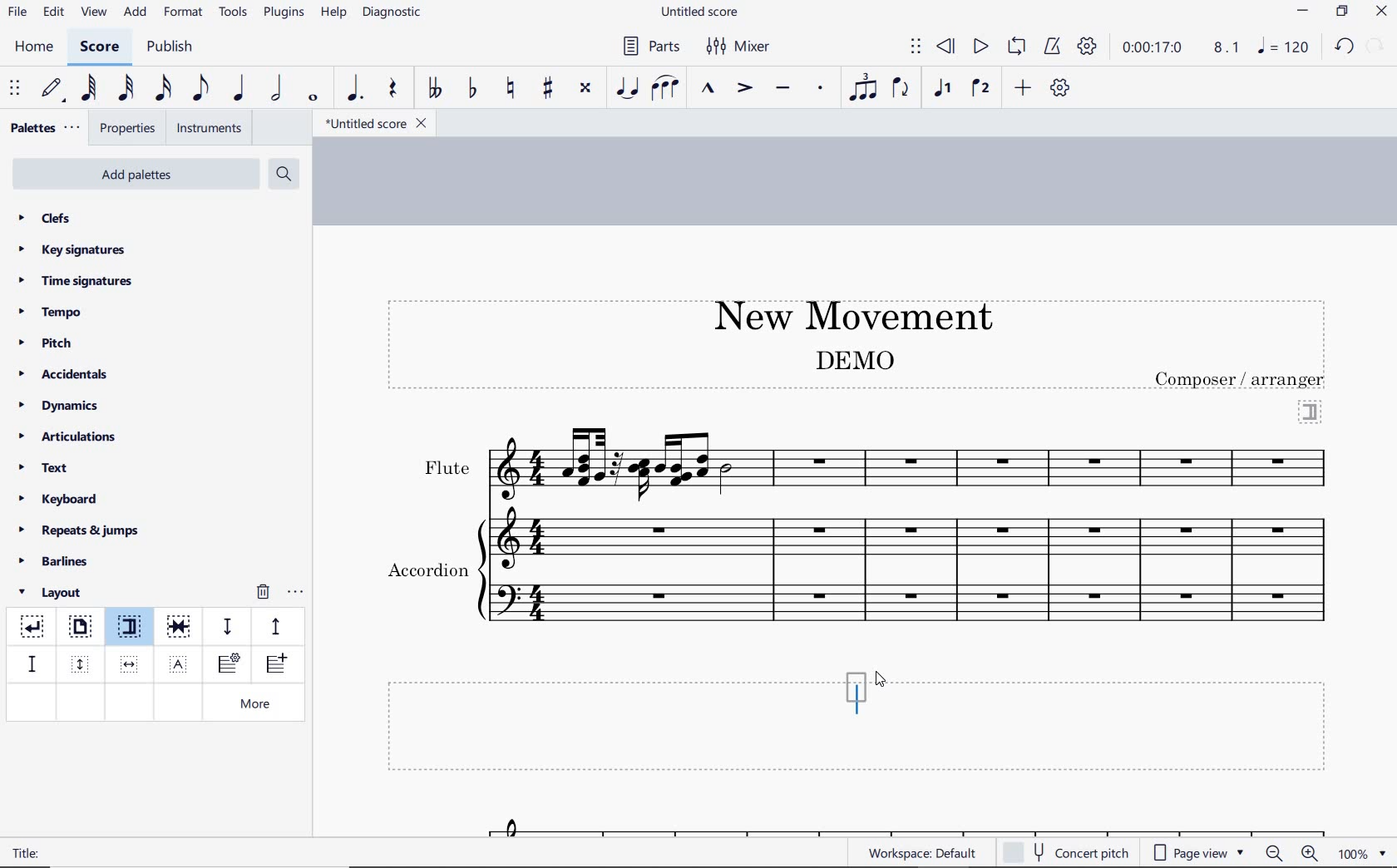 This screenshot has height=868, width=1397. Describe the element at coordinates (53, 593) in the screenshot. I see `layout` at that location.